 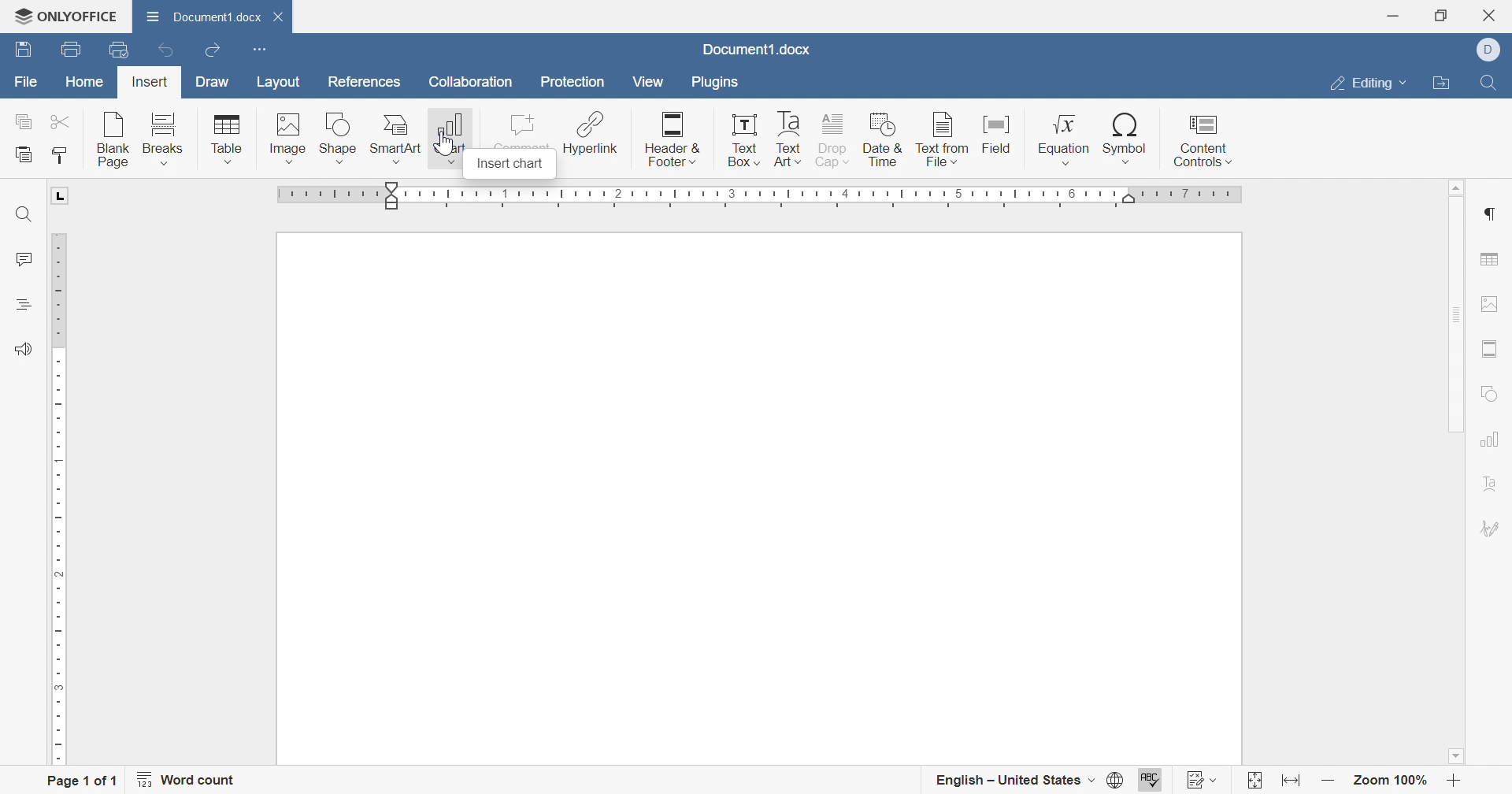 I want to click on Equation, so click(x=1062, y=139).